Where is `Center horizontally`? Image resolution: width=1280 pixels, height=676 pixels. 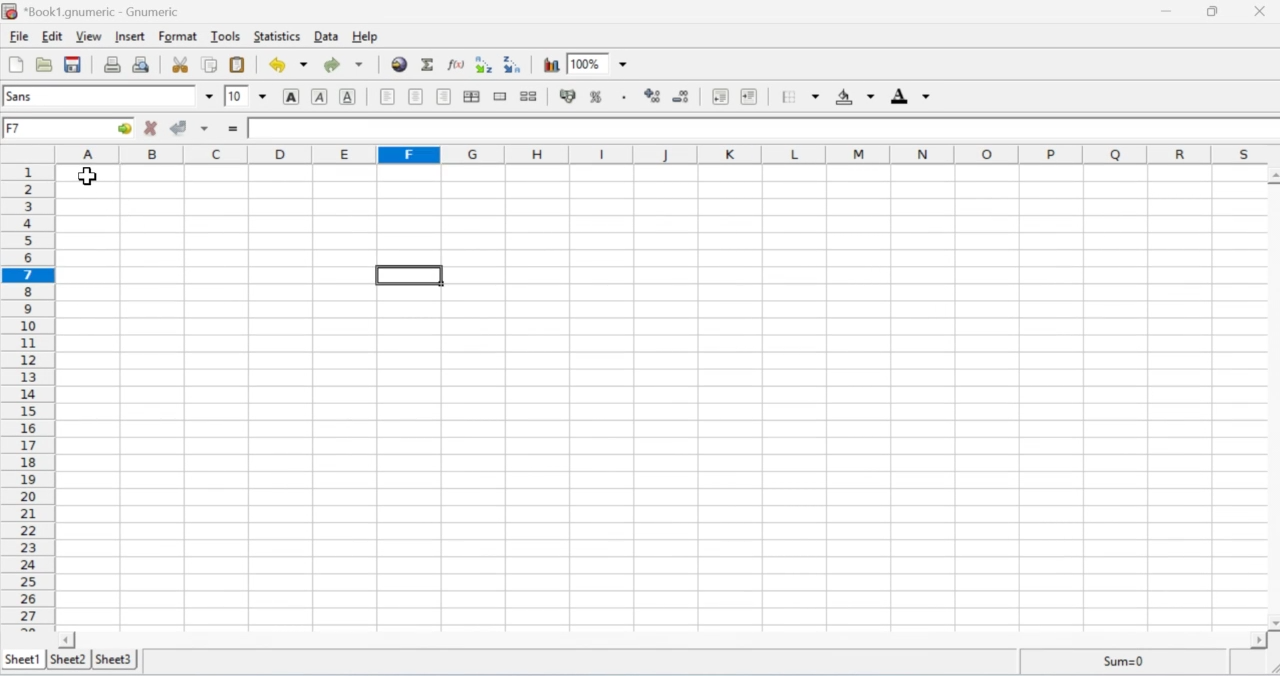
Center horizontally is located at coordinates (418, 98).